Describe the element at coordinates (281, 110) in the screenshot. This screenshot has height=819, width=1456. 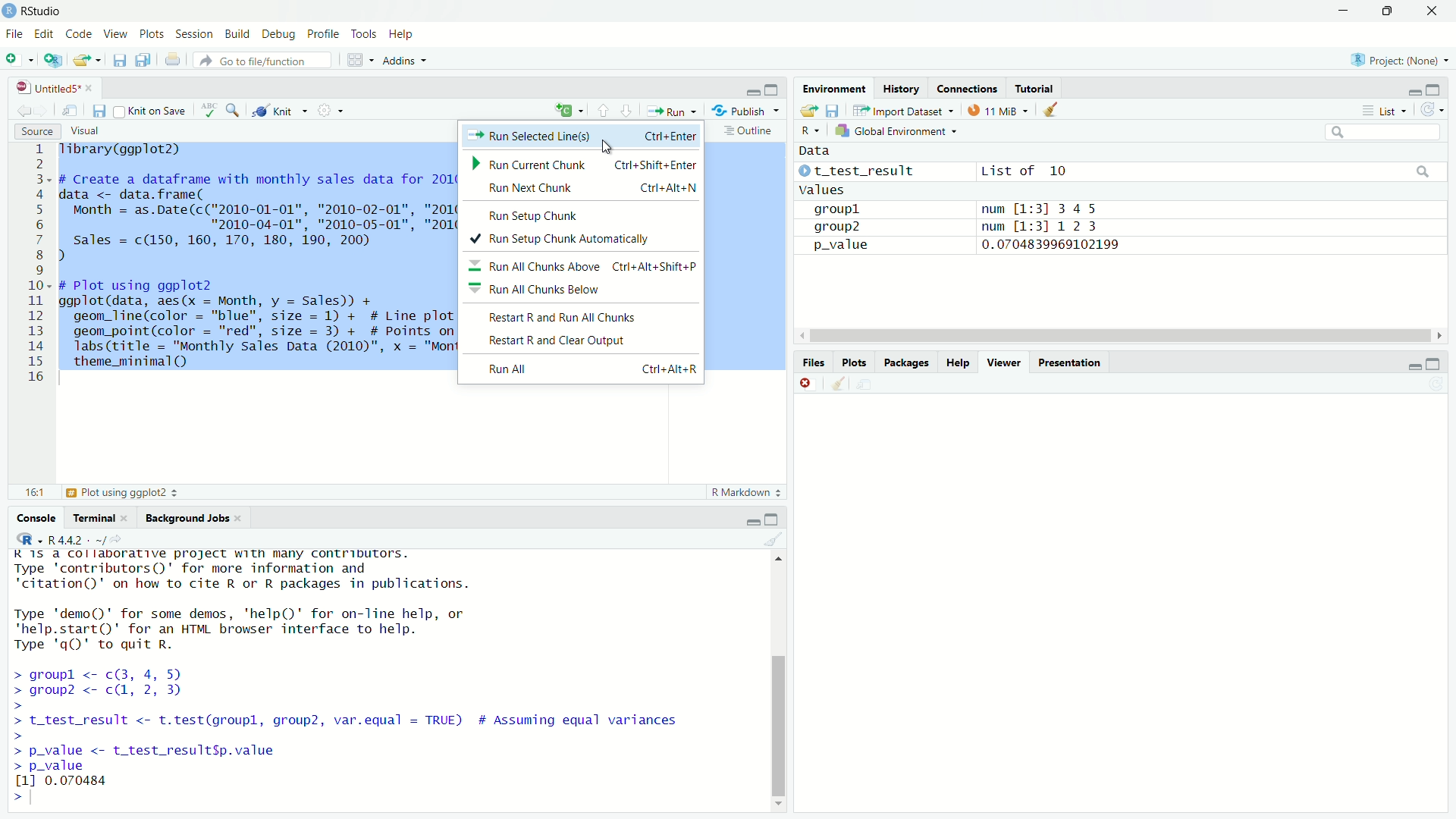
I see ` Knit ` at that location.